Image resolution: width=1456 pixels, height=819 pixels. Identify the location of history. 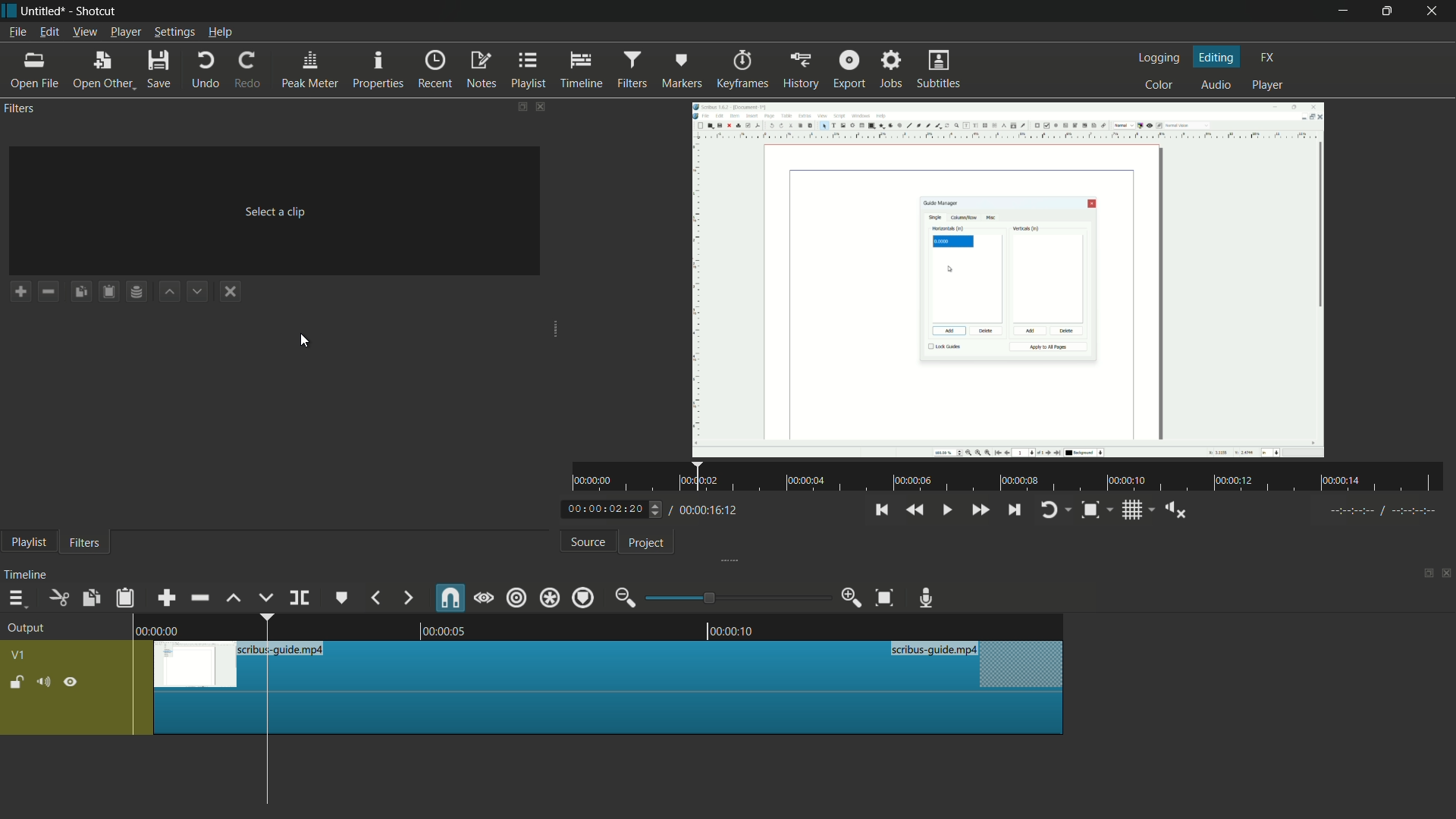
(800, 71).